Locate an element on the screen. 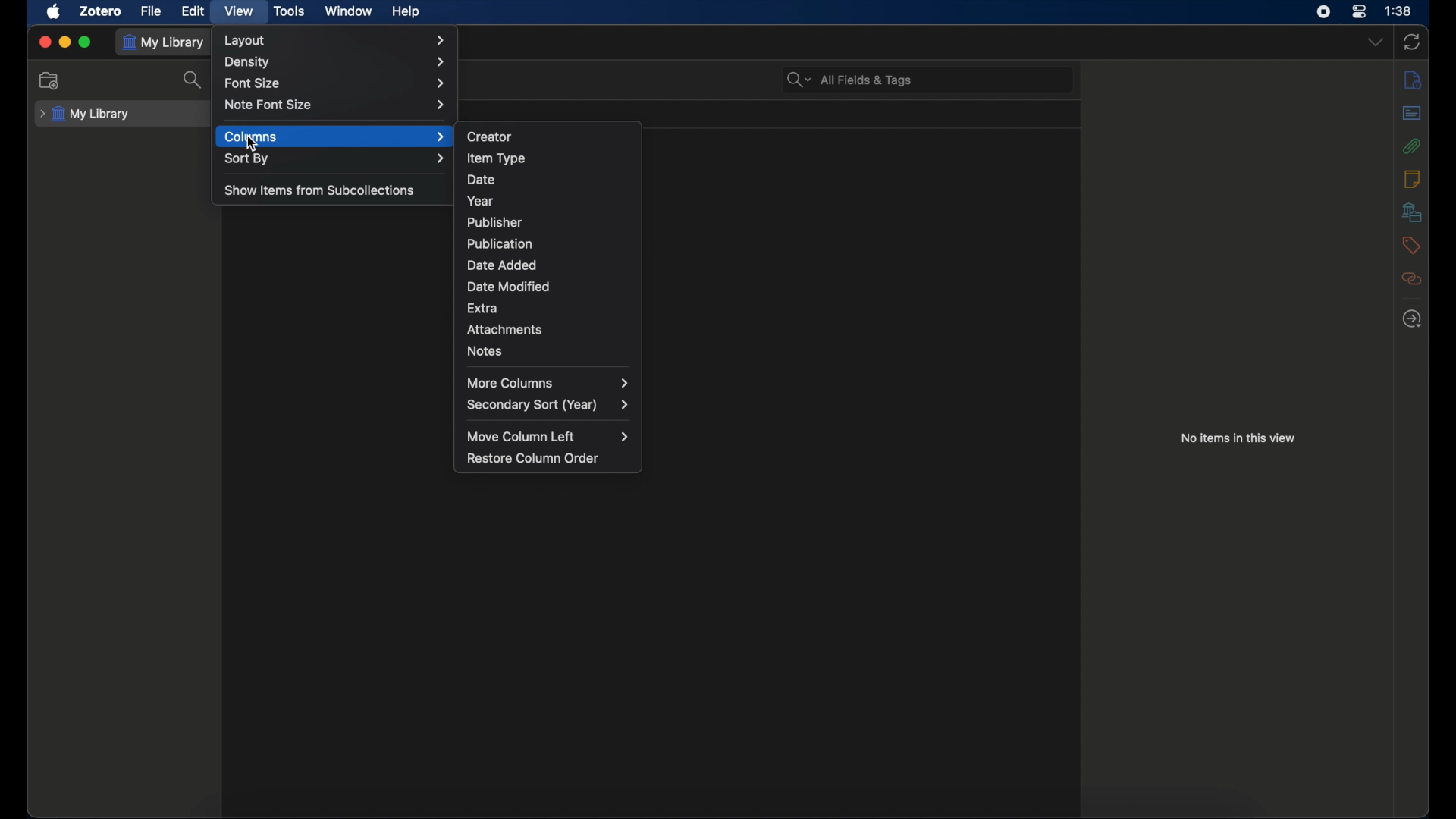  edit is located at coordinates (193, 10).